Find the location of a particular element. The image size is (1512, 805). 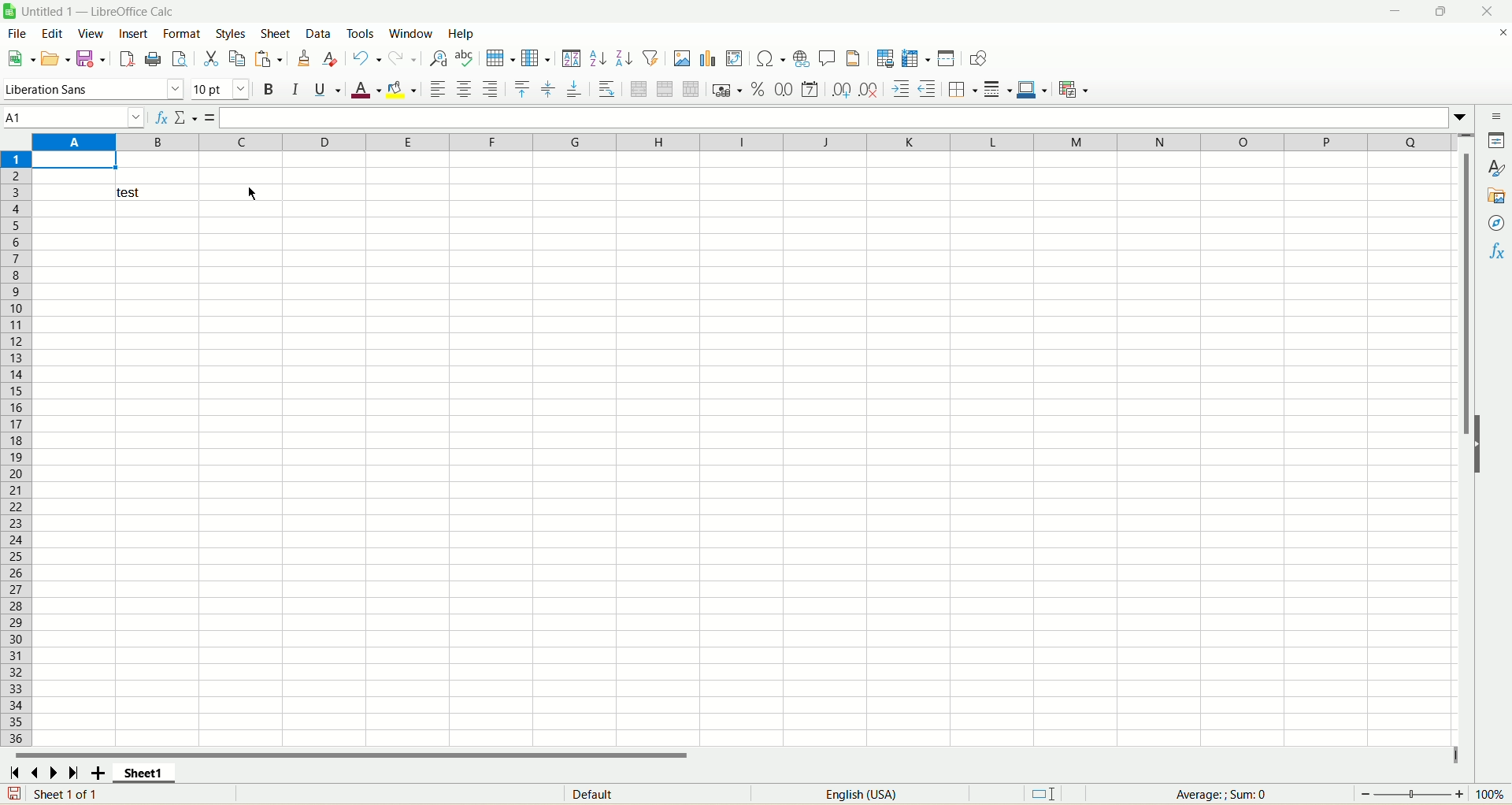

default selection is located at coordinates (1043, 794).